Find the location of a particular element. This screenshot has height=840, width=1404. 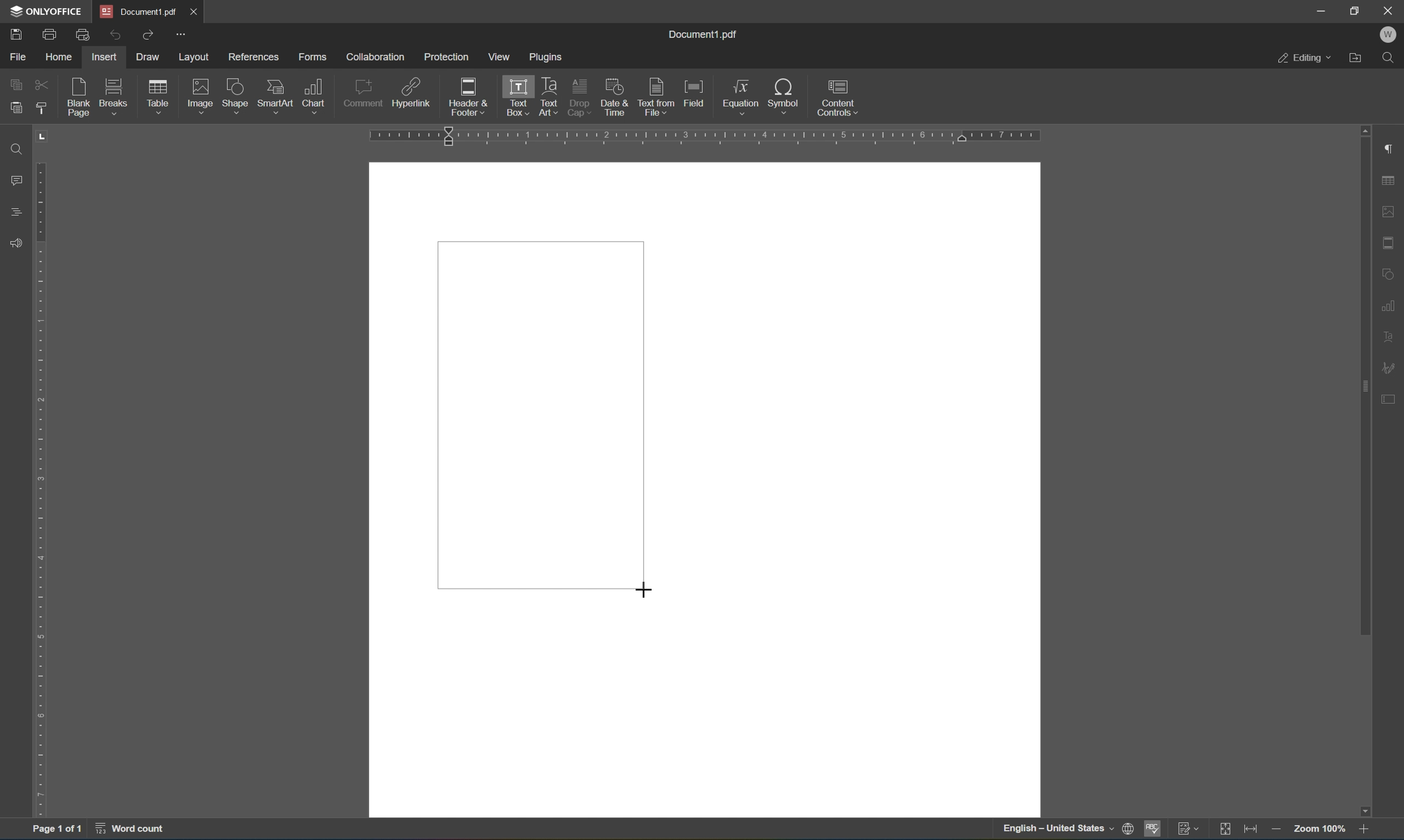

spell checking is located at coordinates (1155, 828).